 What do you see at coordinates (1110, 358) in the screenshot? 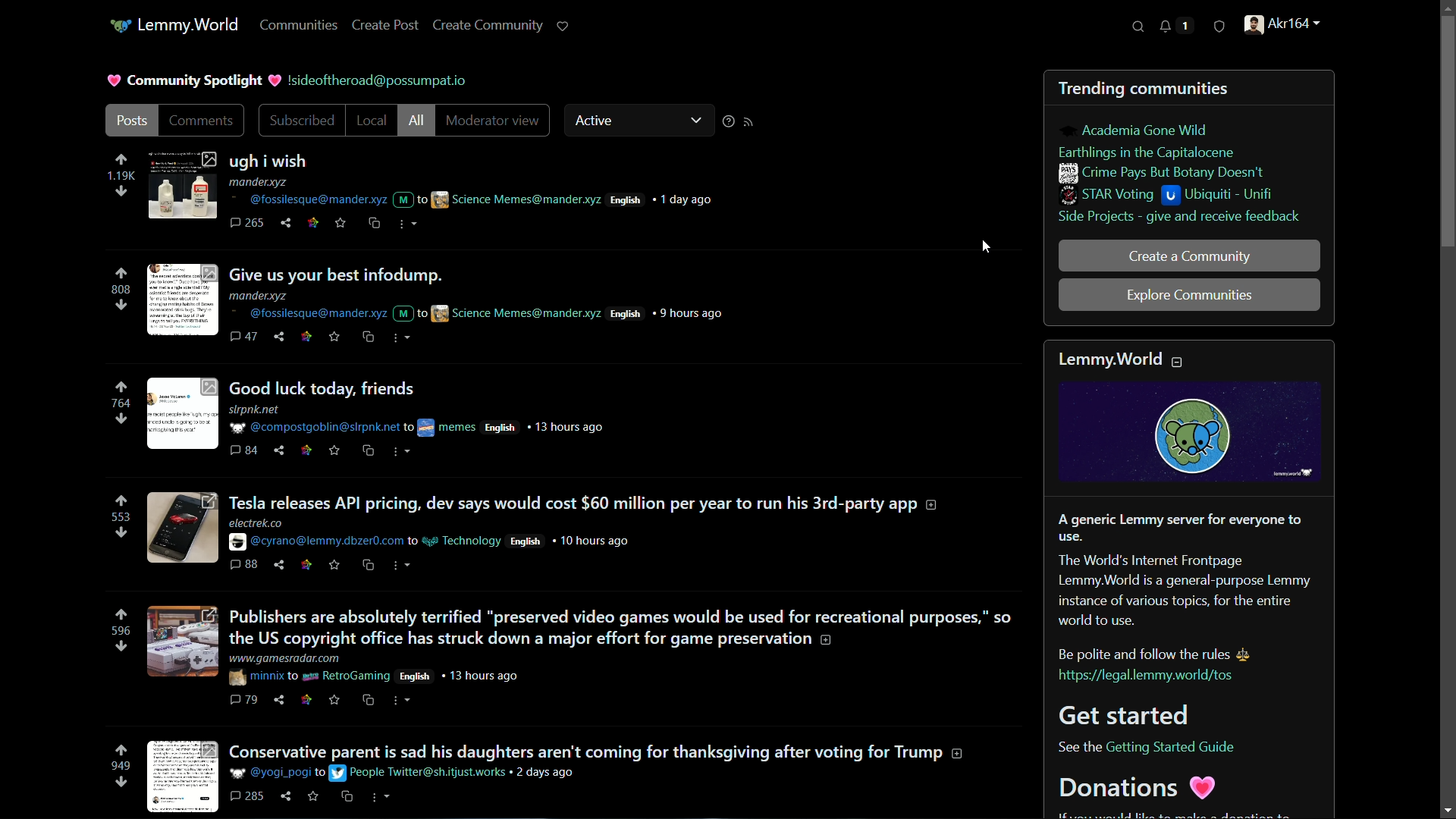
I see `lemmy.world` at bounding box center [1110, 358].